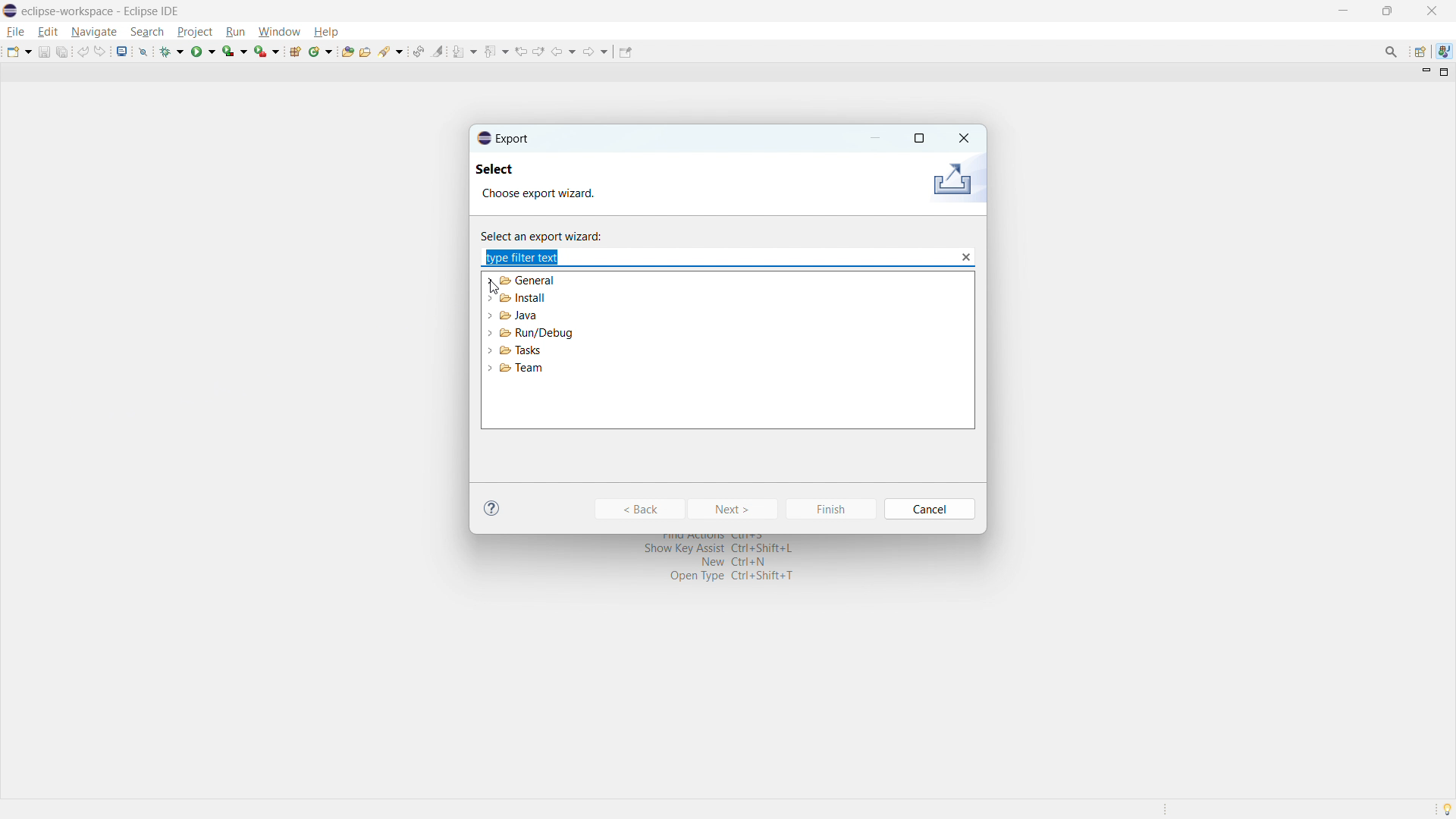 This screenshot has width=1456, height=819. I want to click on Select an export wizard, so click(552, 234).